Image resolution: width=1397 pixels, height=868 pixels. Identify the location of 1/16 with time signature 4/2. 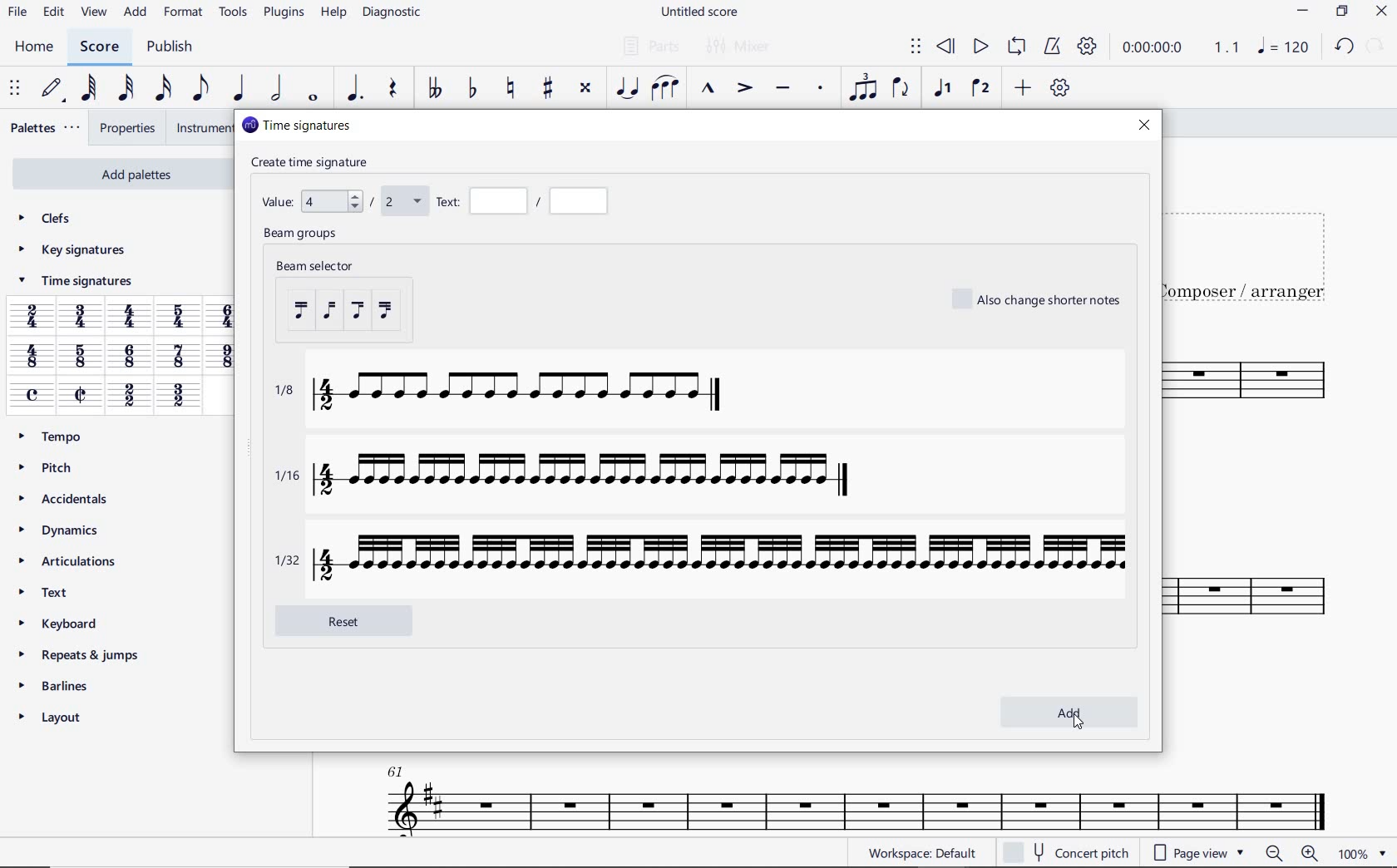
(580, 477).